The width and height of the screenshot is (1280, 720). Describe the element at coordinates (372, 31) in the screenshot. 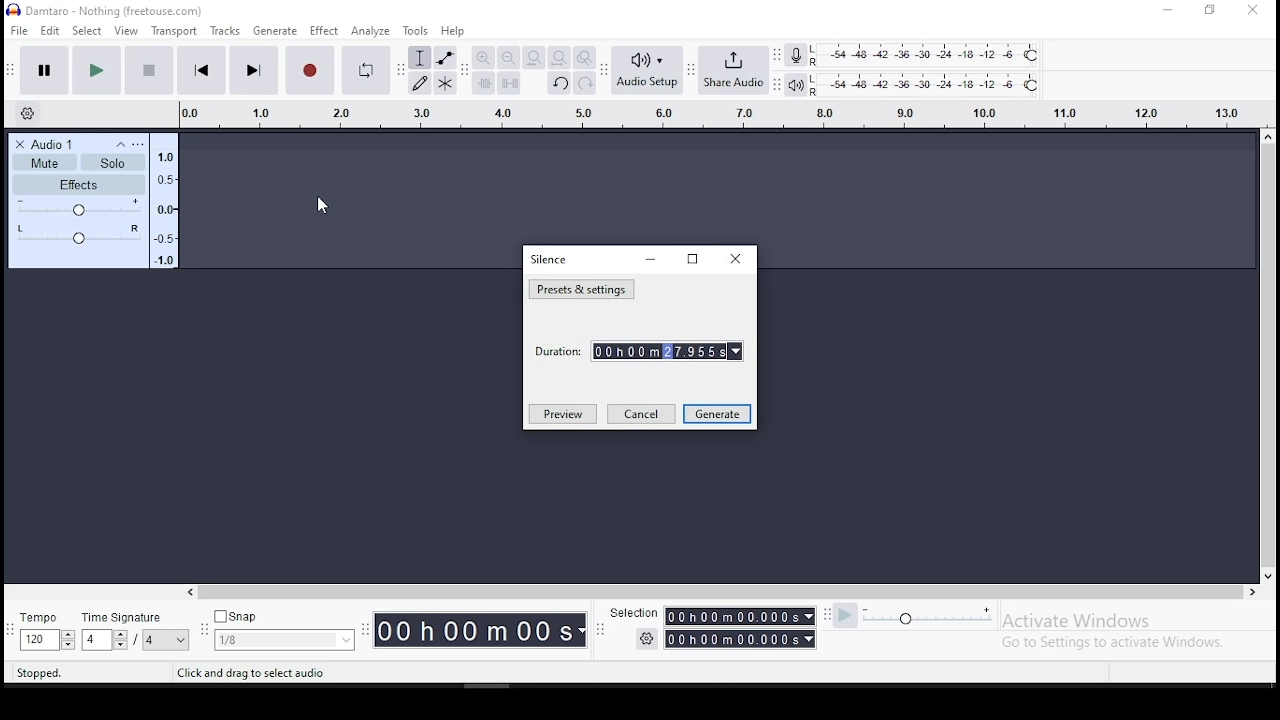

I see `analyze` at that location.